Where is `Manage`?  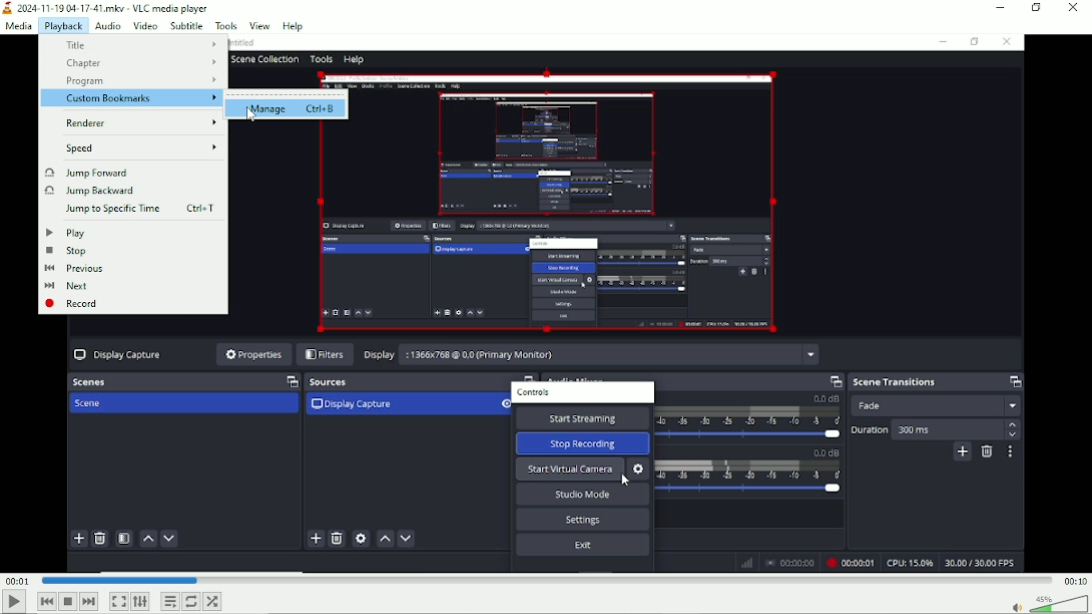
Manage is located at coordinates (292, 108).